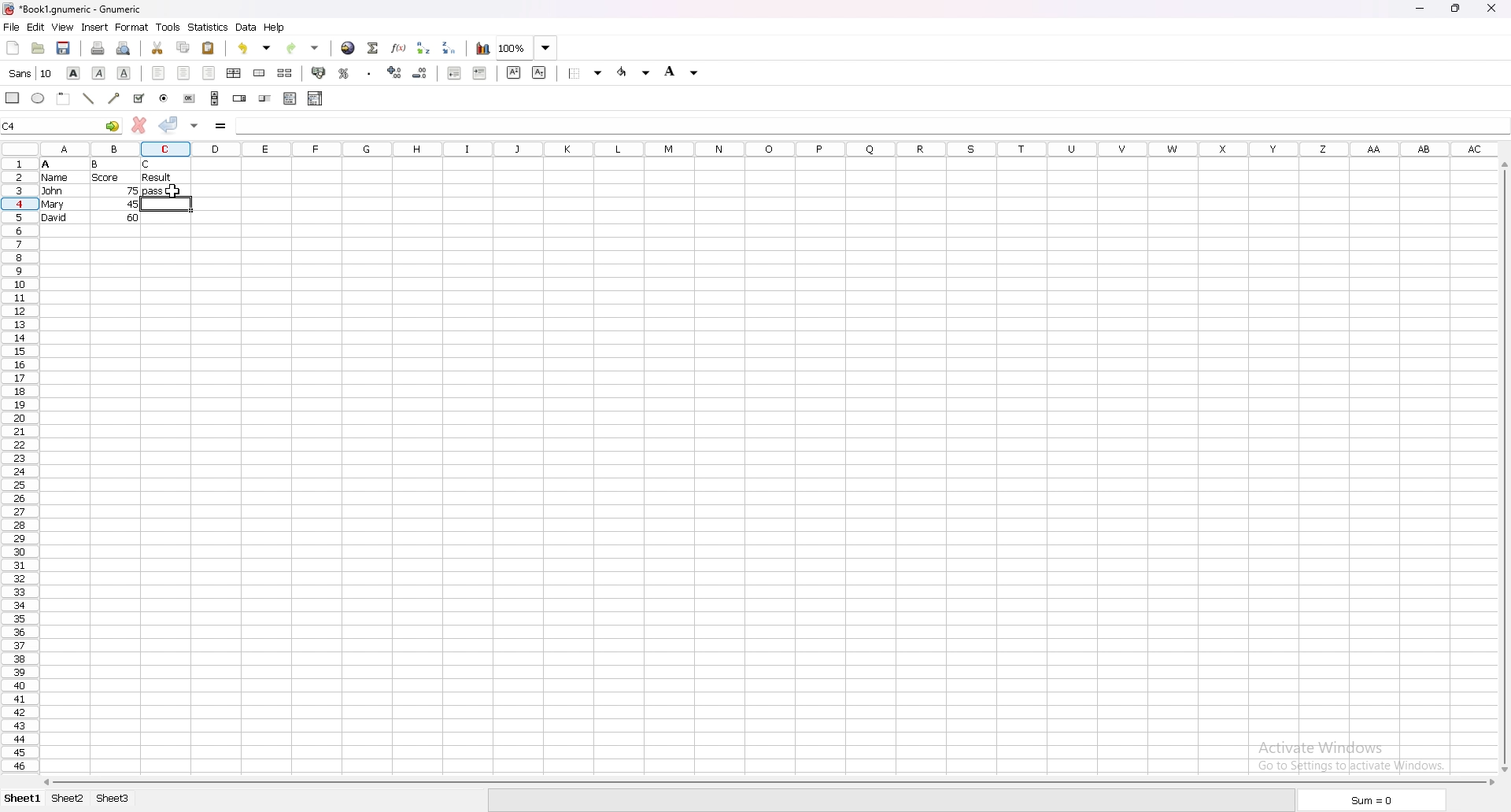  Describe the element at coordinates (741, 149) in the screenshot. I see `column` at that location.